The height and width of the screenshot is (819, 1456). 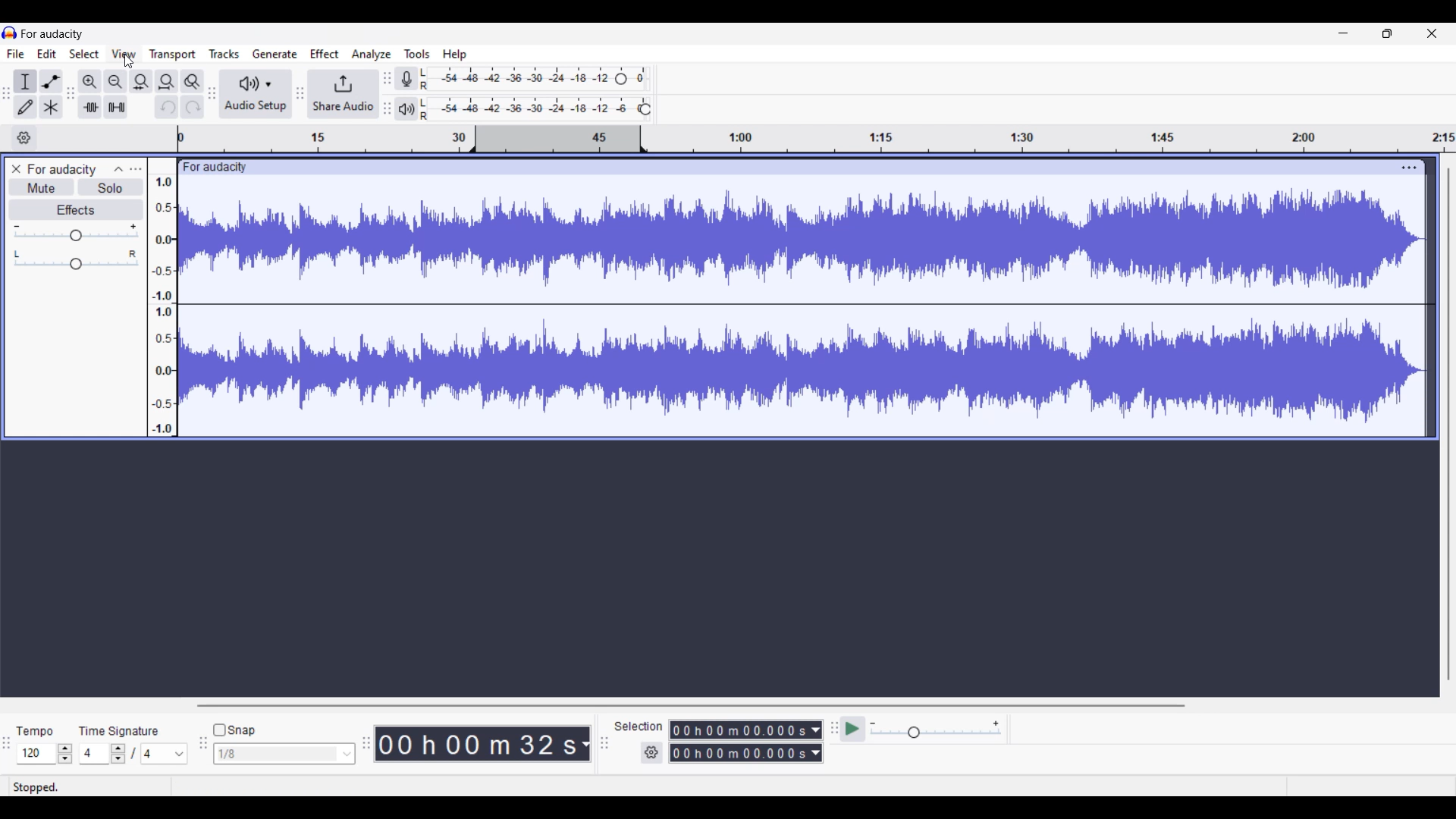 I want to click on Max. time signature options, so click(x=165, y=754).